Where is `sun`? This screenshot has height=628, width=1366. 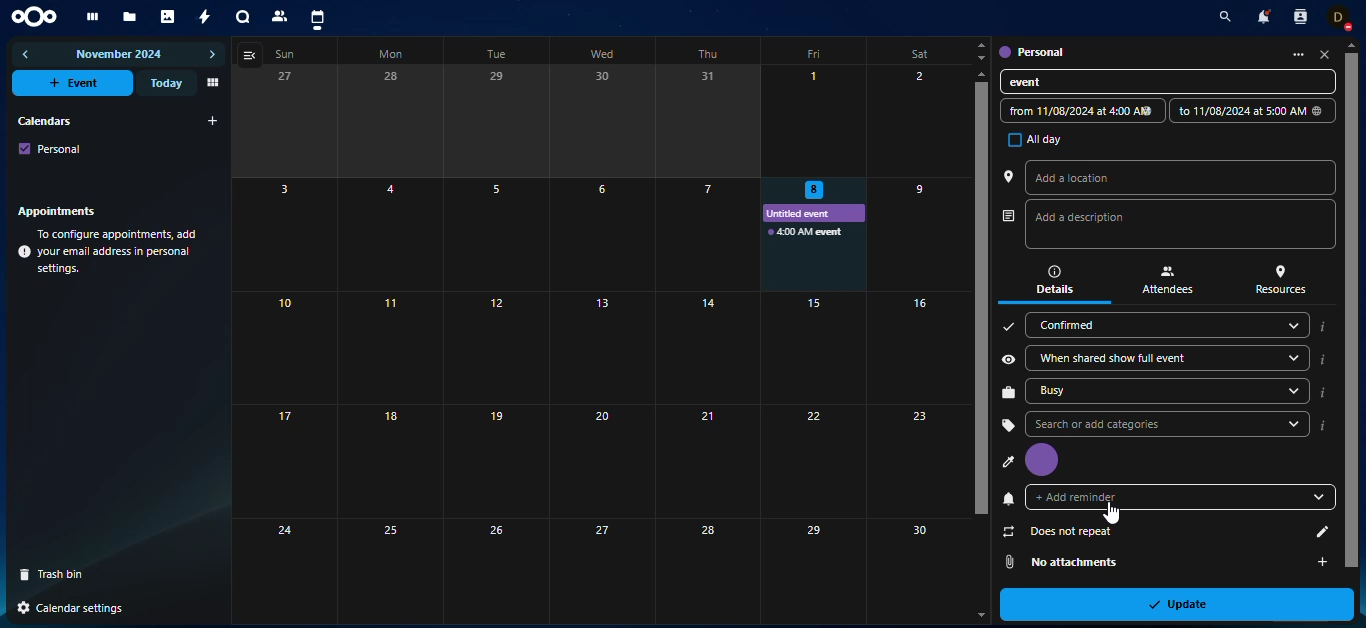 sun is located at coordinates (290, 54).